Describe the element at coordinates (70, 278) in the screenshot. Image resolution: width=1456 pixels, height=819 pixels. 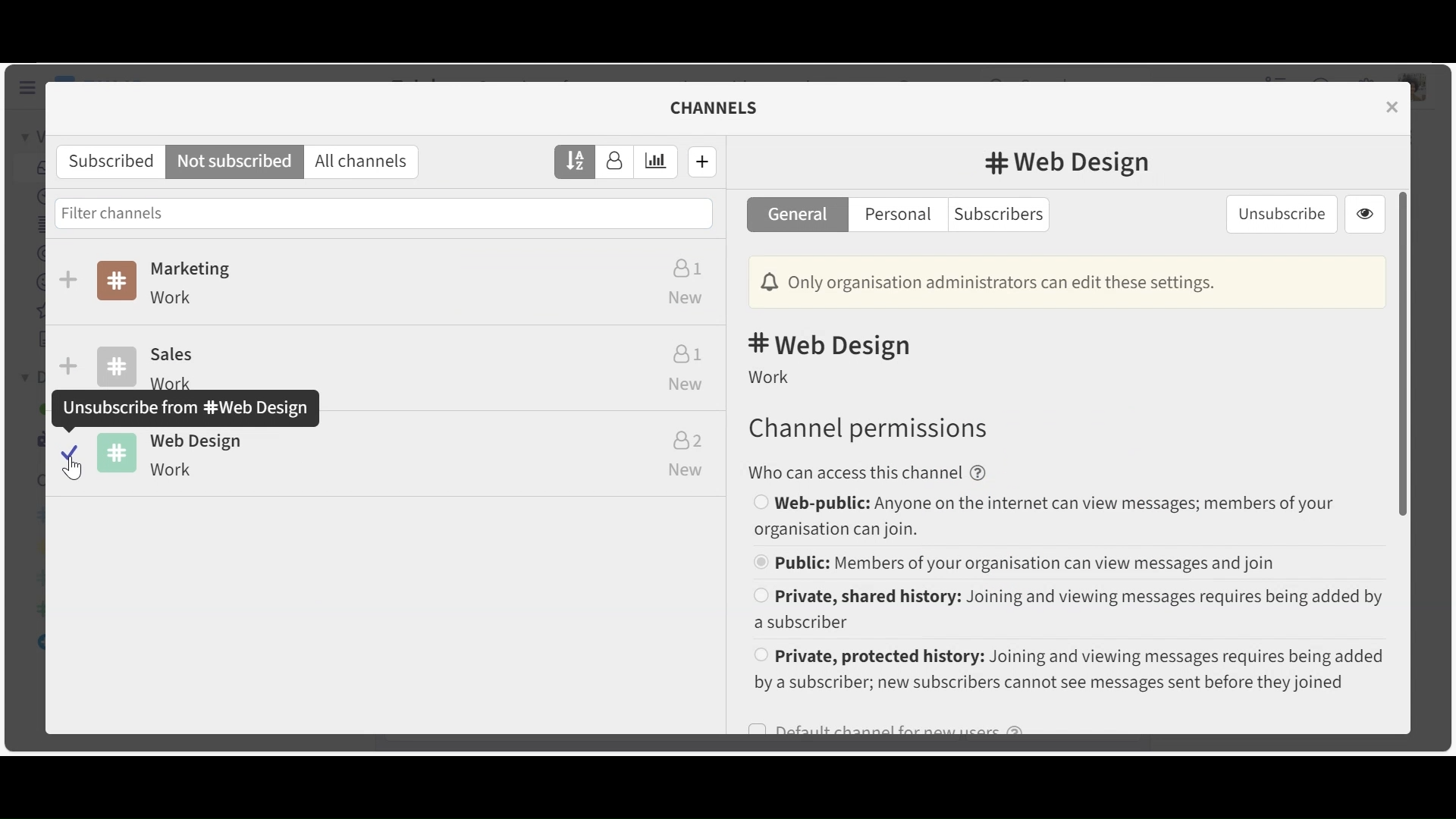
I see `Subscribe/unsubscribe` at that location.